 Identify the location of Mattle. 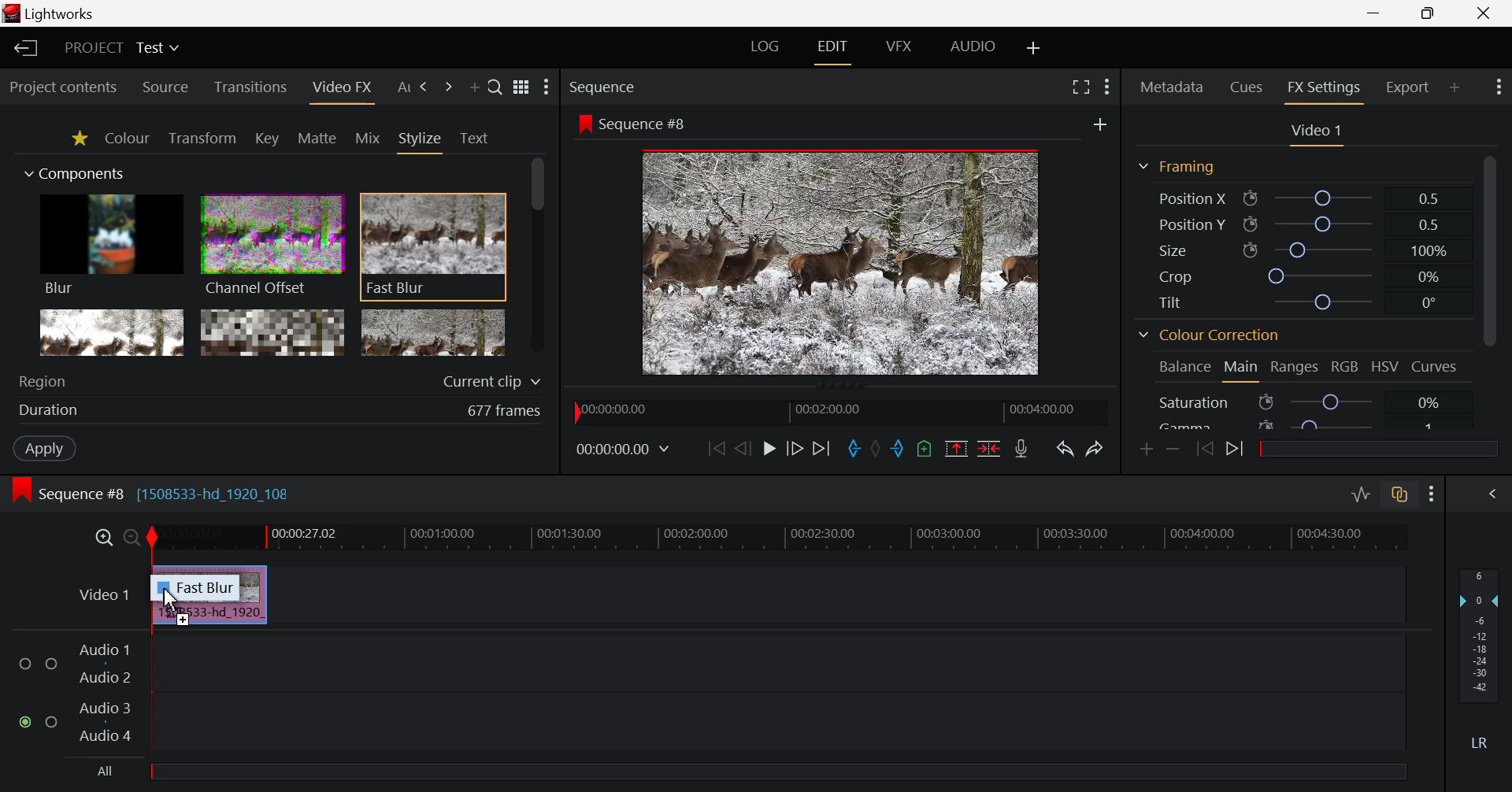
(317, 137).